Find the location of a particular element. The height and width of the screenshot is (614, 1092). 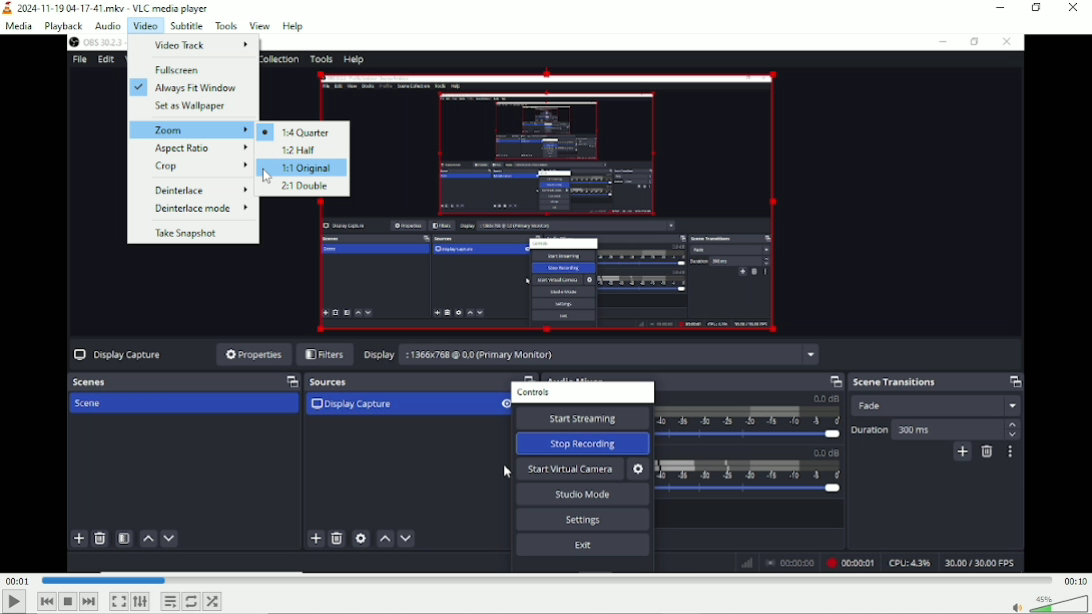

Cursor is located at coordinates (266, 176).